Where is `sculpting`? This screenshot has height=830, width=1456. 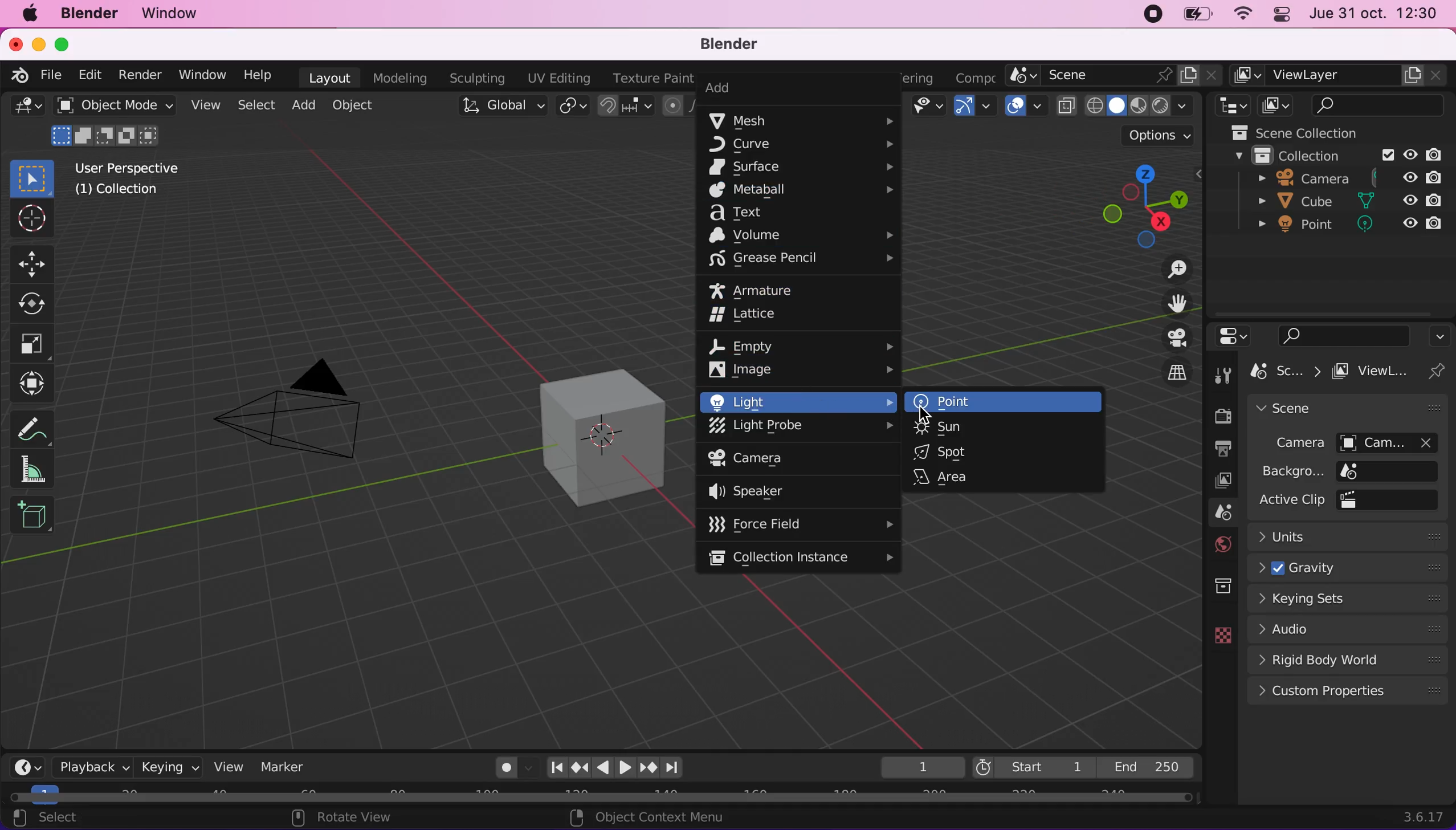
sculpting is located at coordinates (479, 79).